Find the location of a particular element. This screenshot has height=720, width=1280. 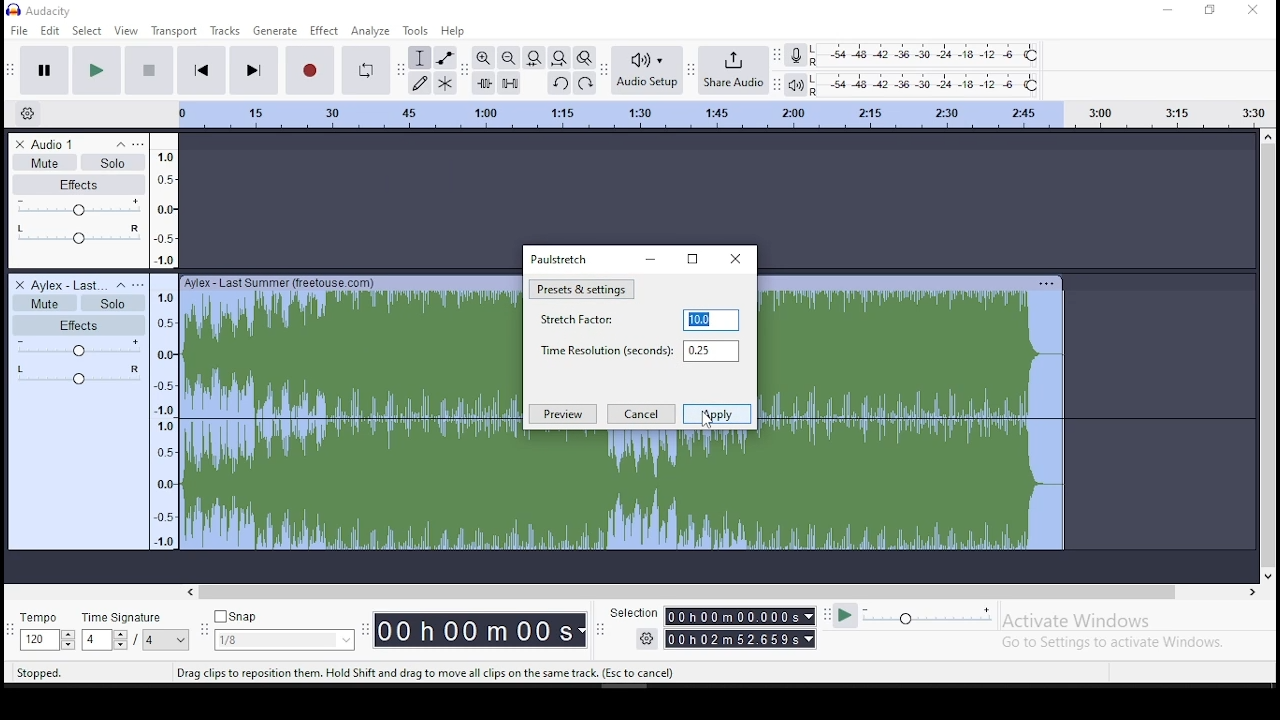

close window is located at coordinates (1255, 10).